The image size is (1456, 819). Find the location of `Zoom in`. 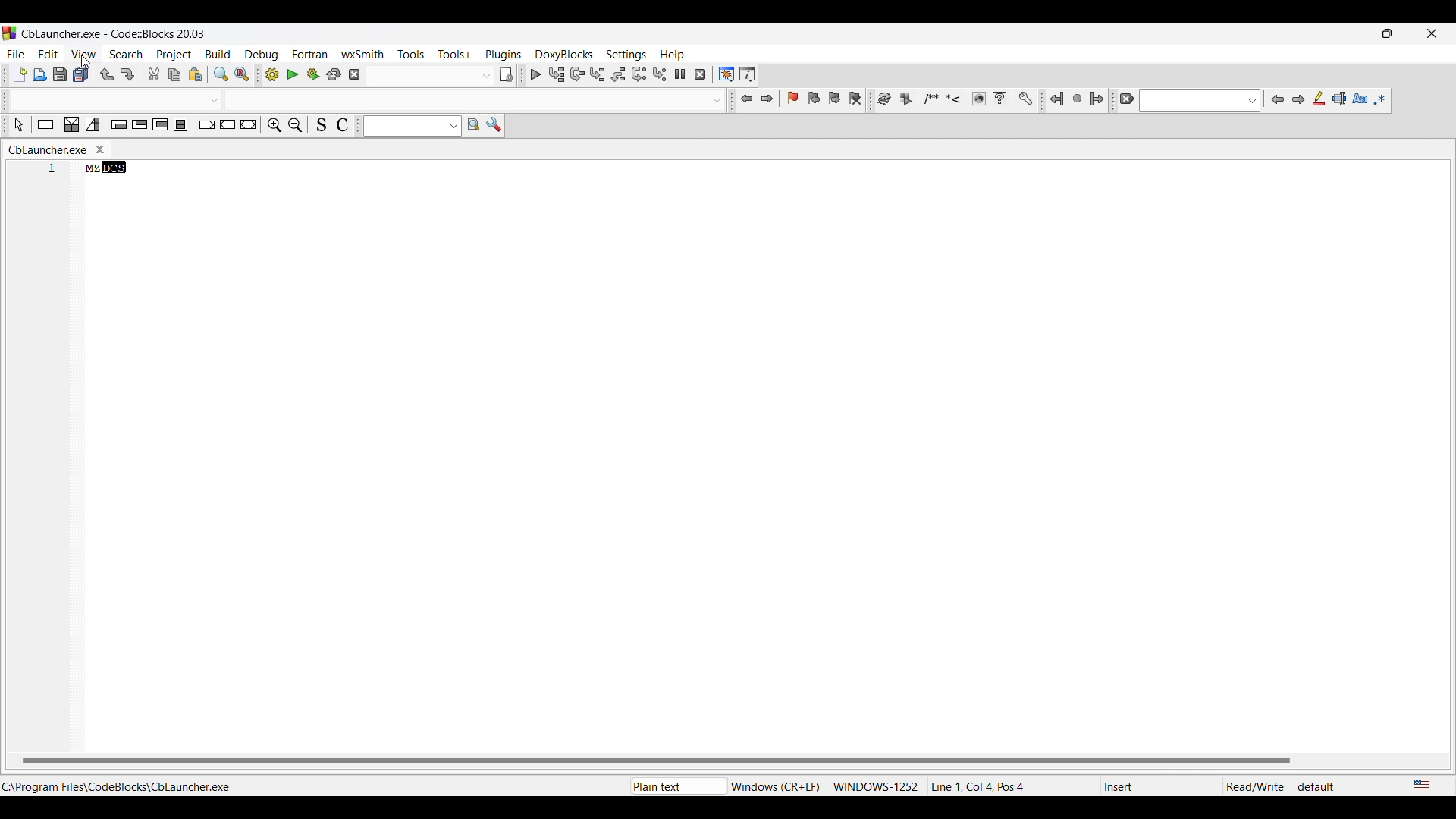

Zoom in is located at coordinates (275, 125).